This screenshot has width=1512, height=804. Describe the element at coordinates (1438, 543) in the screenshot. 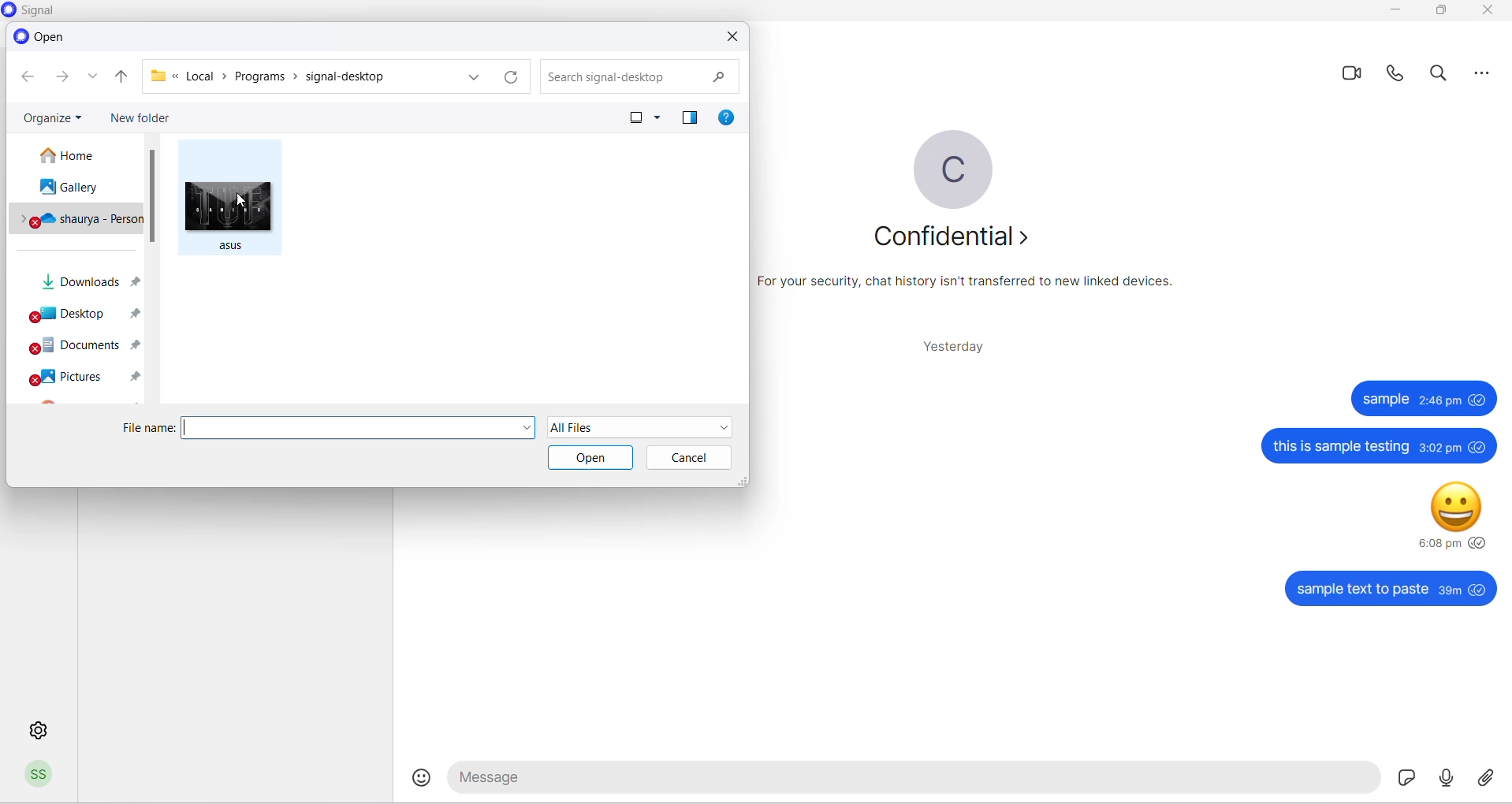

I see `6:06 pm` at that location.